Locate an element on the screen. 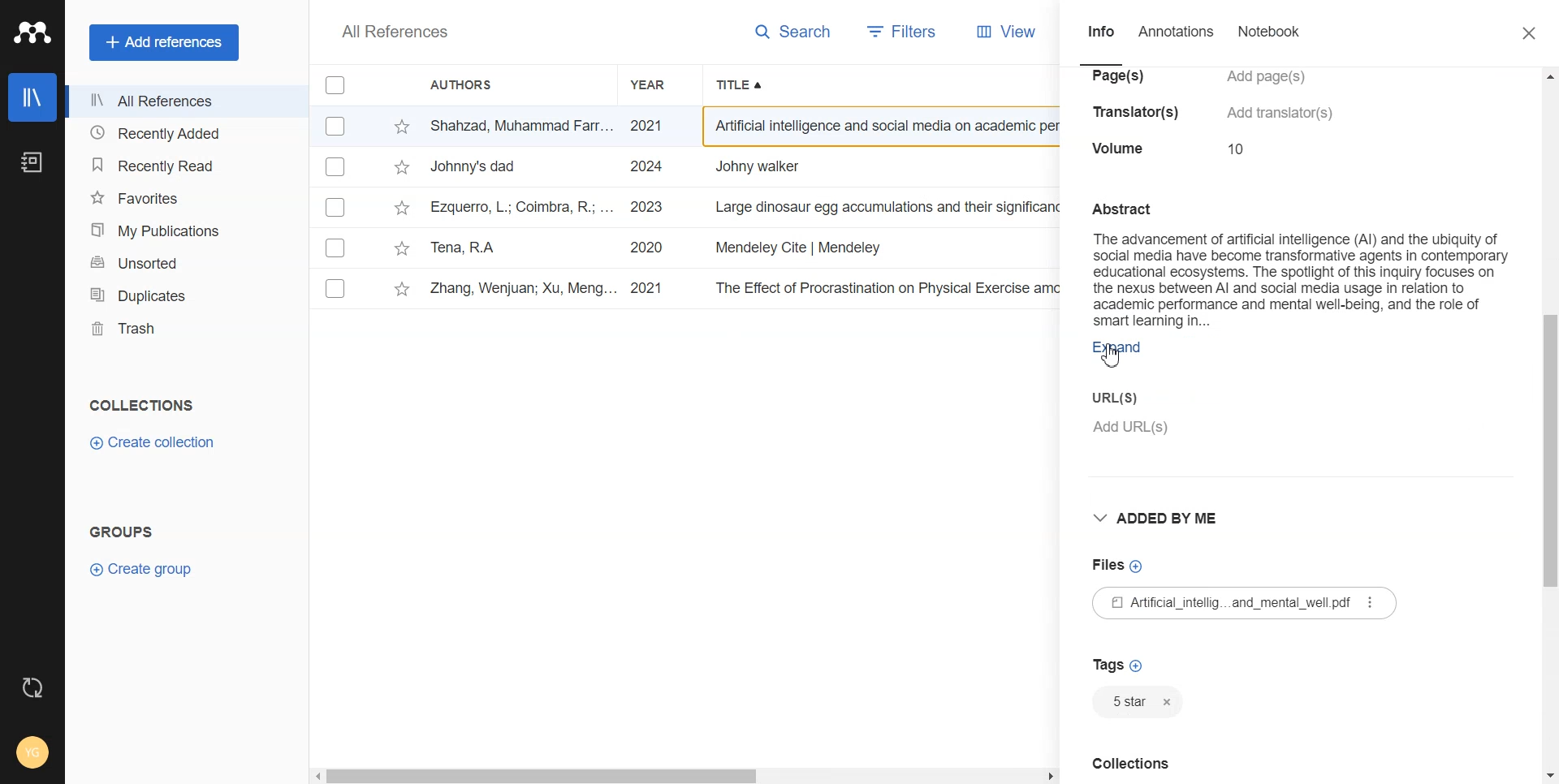 Image resolution: width=1559 pixels, height=784 pixels. Notebook is located at coordinates (1275, 31).